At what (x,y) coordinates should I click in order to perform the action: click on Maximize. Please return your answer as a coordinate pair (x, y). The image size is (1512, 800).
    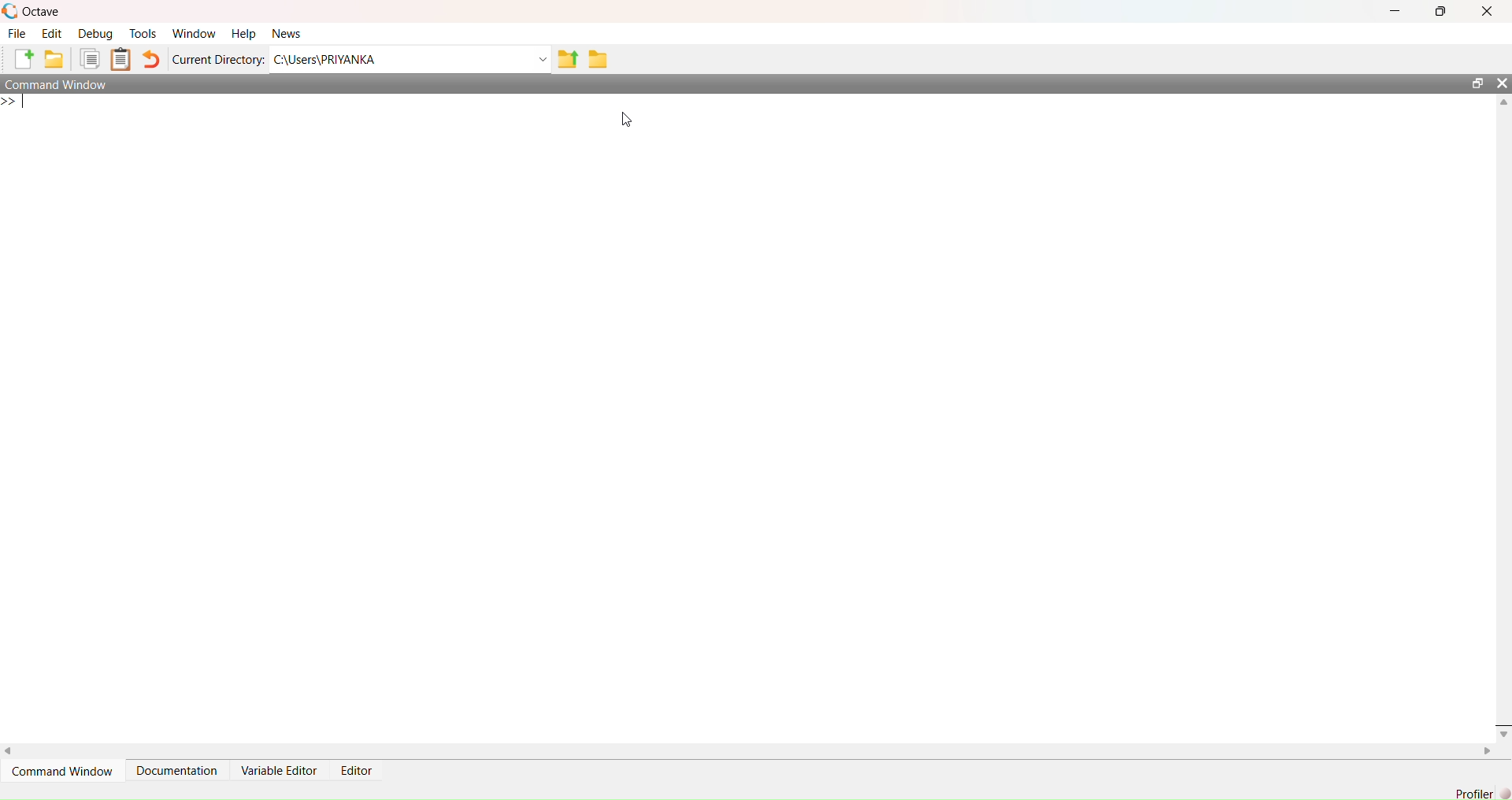
    Looking at the image, I should click on (1476, 83).